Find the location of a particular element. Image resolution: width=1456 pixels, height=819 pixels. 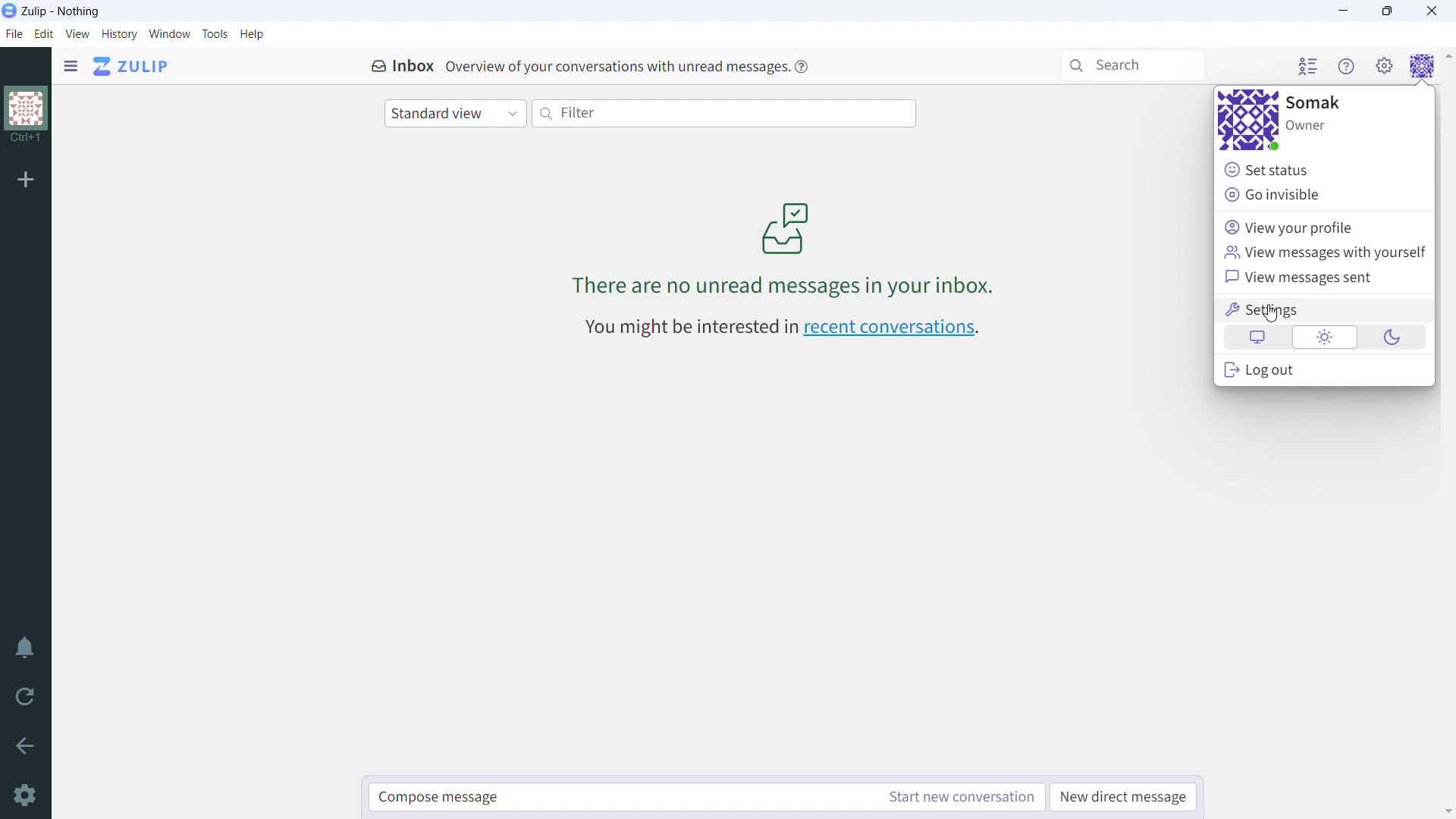

new direct message is located at coordinates (1123, 798).